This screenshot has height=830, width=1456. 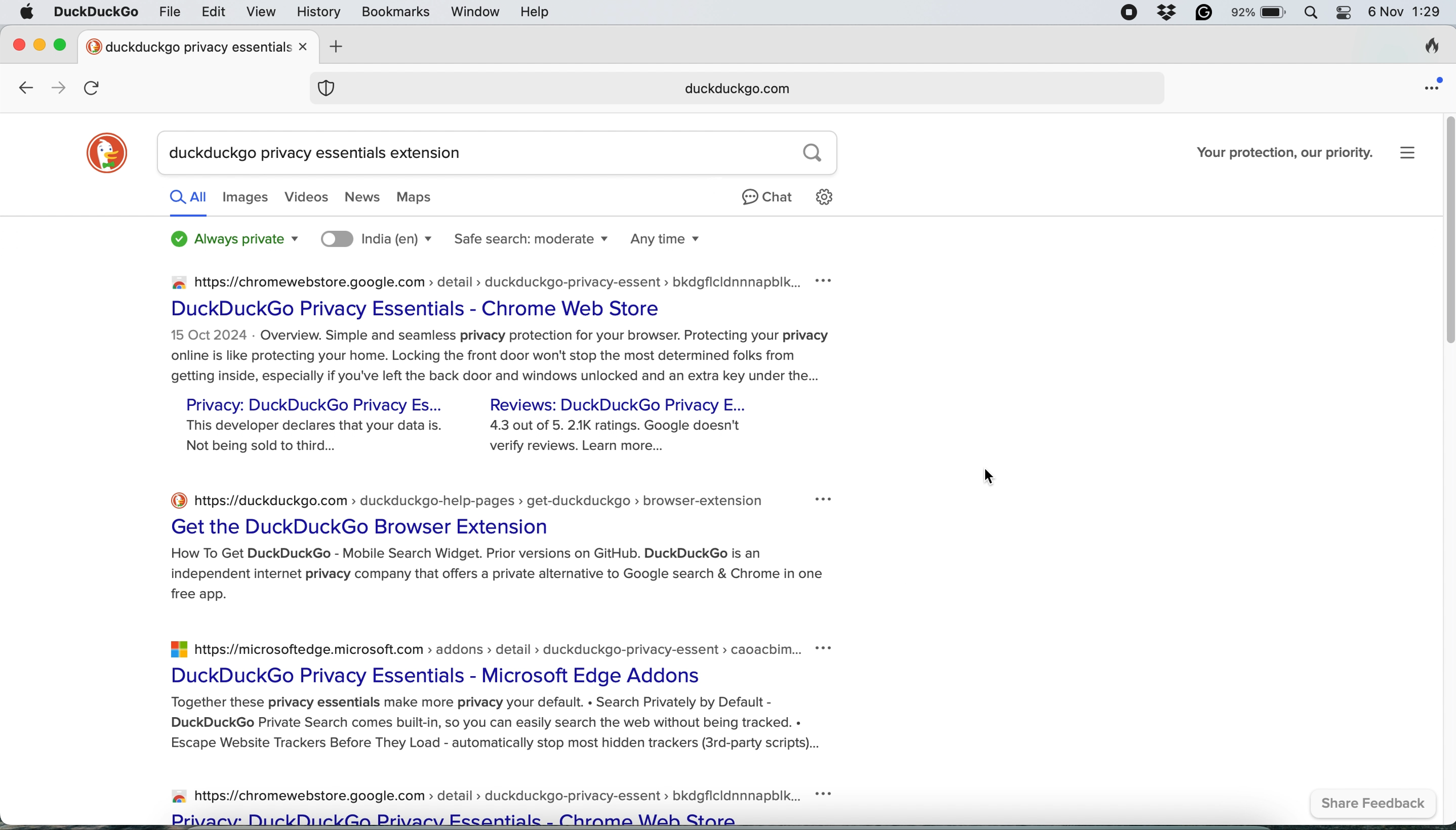 I want to click on Overview., so click(x=500, y=355).